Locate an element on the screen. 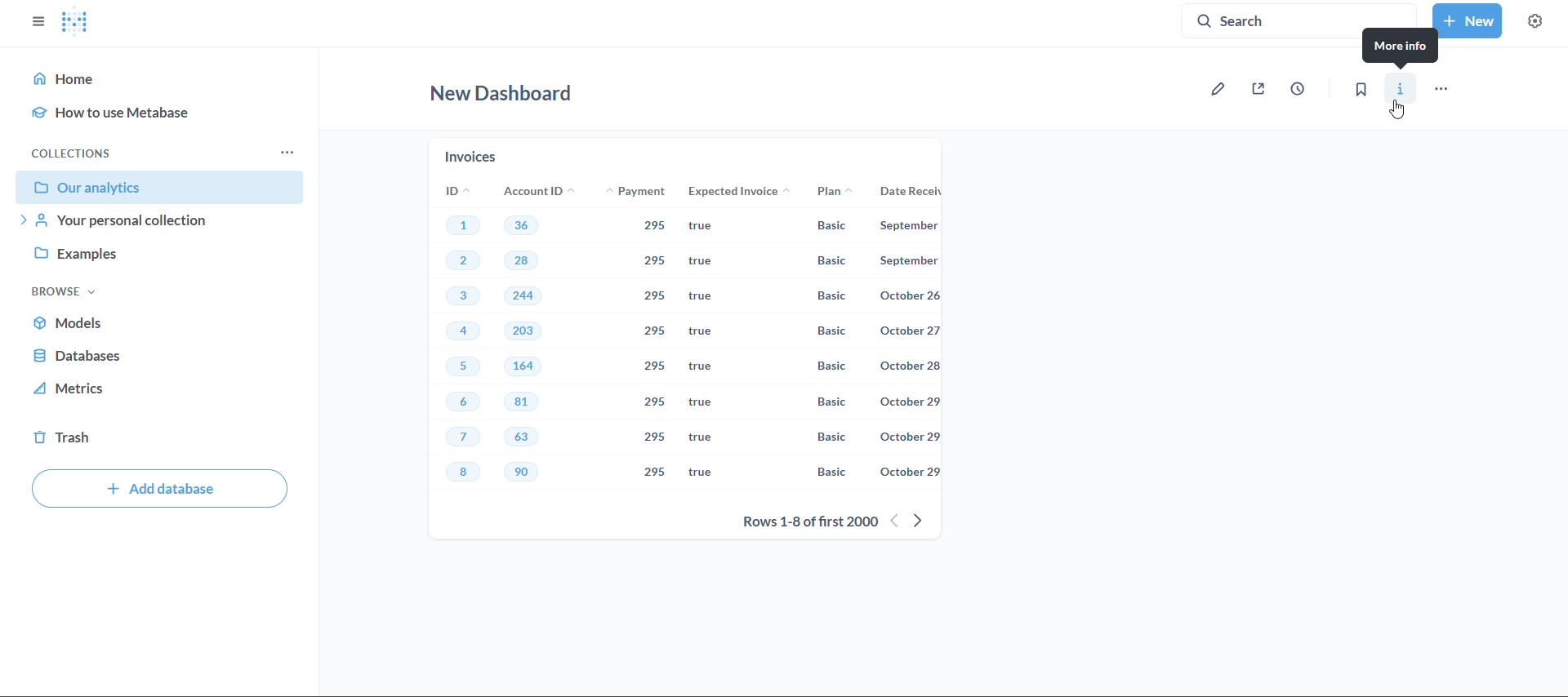 The height and width of the screenshot is (697, 1568). home is located at coordinates (70, 80).